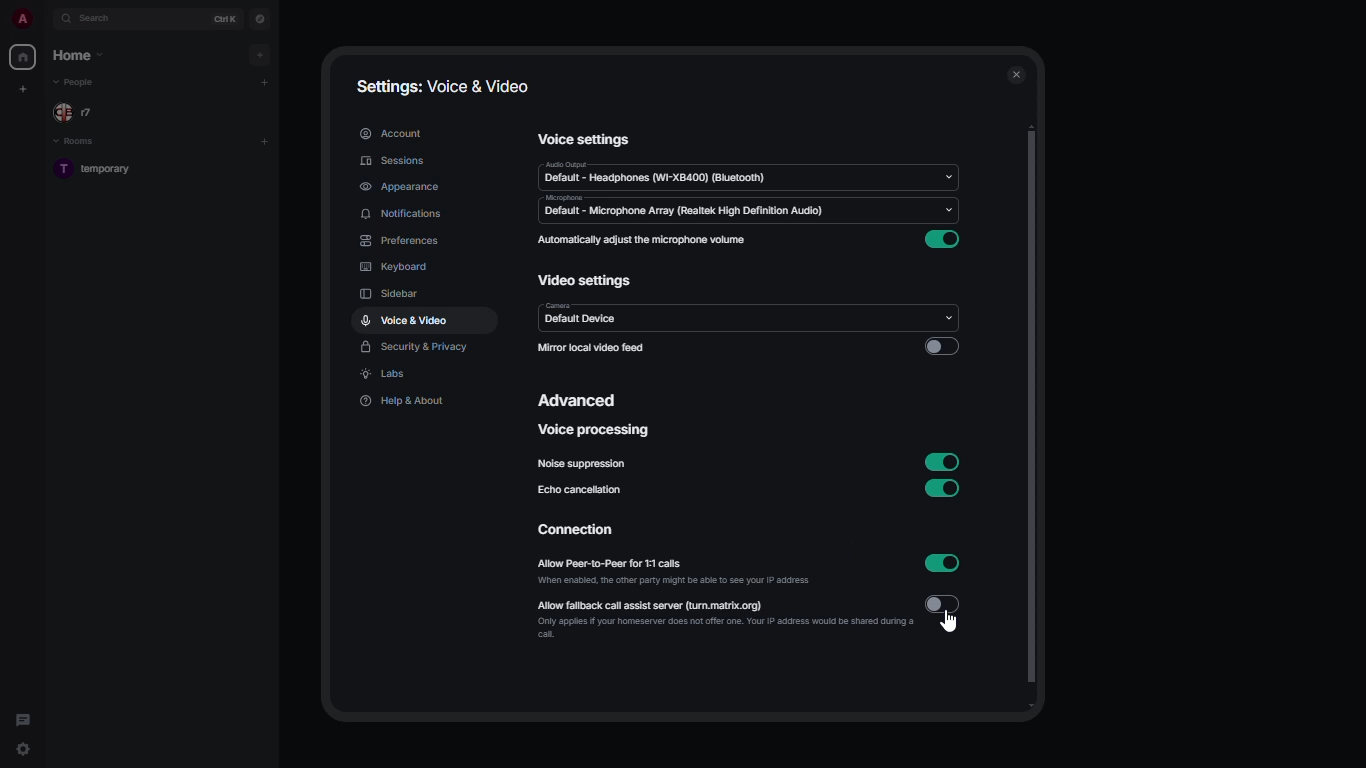 The image size is (1366, 768). I want to click on security & privacy, so click(414, 348).